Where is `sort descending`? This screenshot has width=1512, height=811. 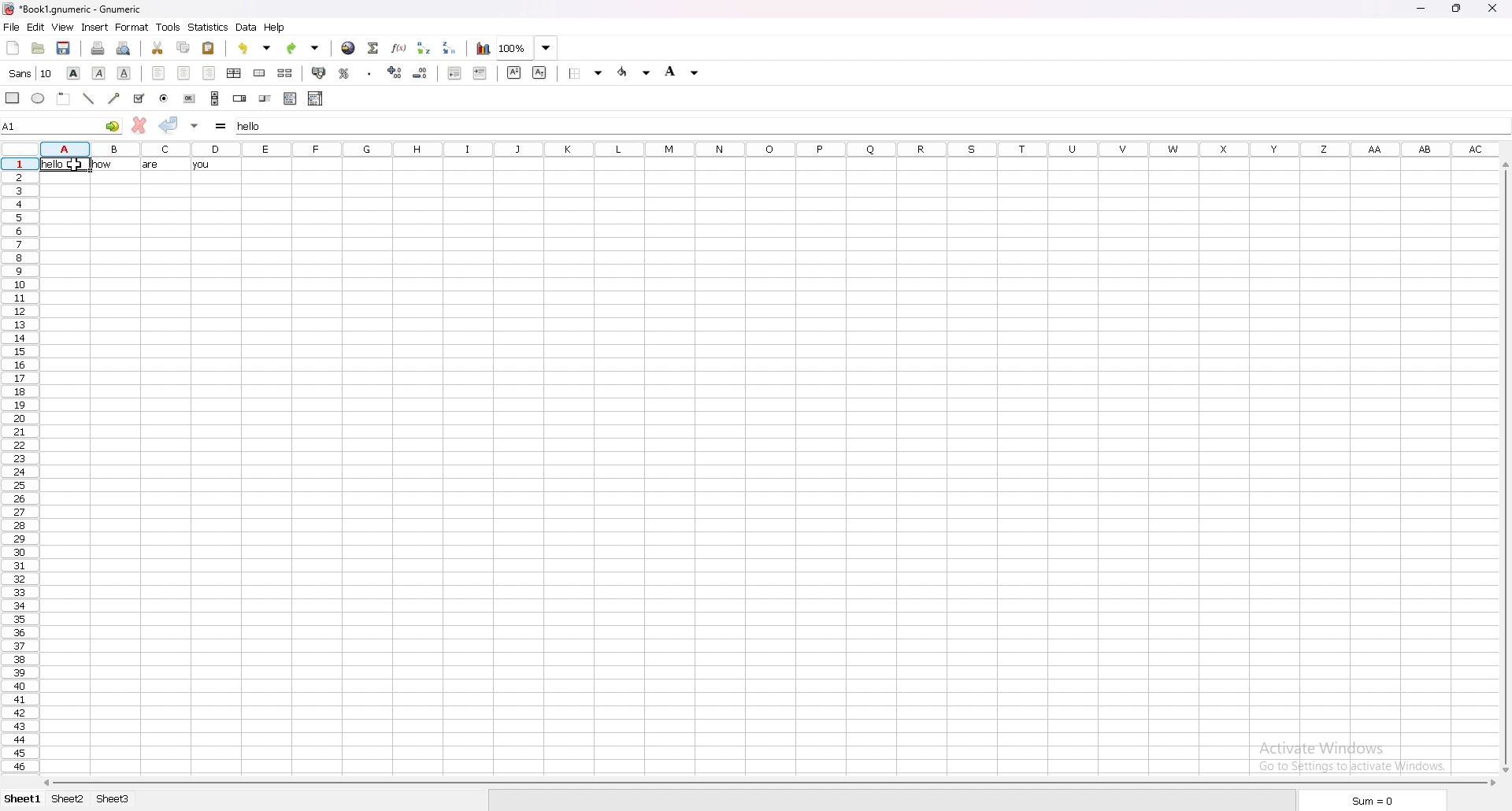
sort descending is located at coordinates (452, 48).